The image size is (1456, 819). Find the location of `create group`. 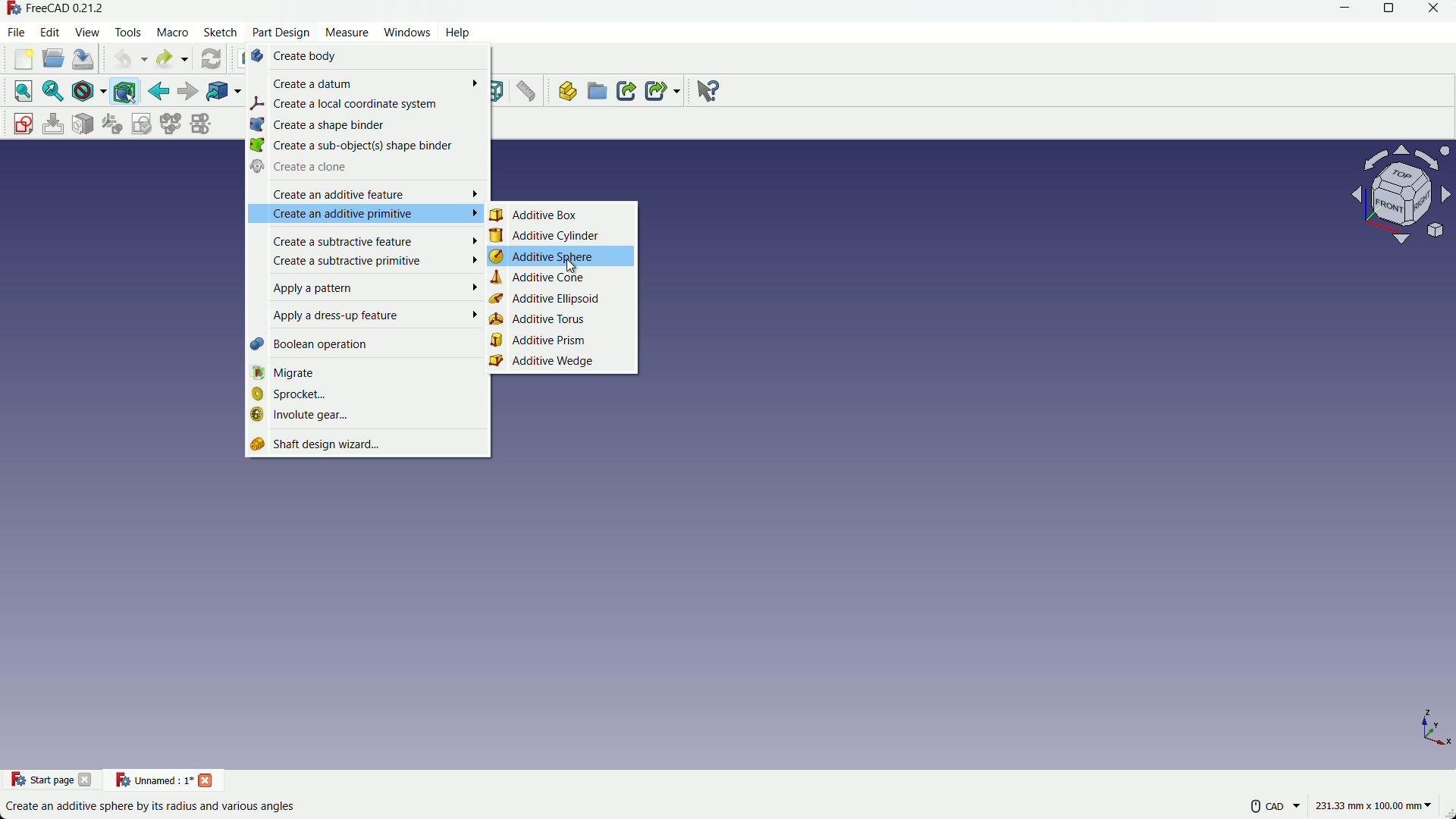

create group is located at coordinates (596, 93).